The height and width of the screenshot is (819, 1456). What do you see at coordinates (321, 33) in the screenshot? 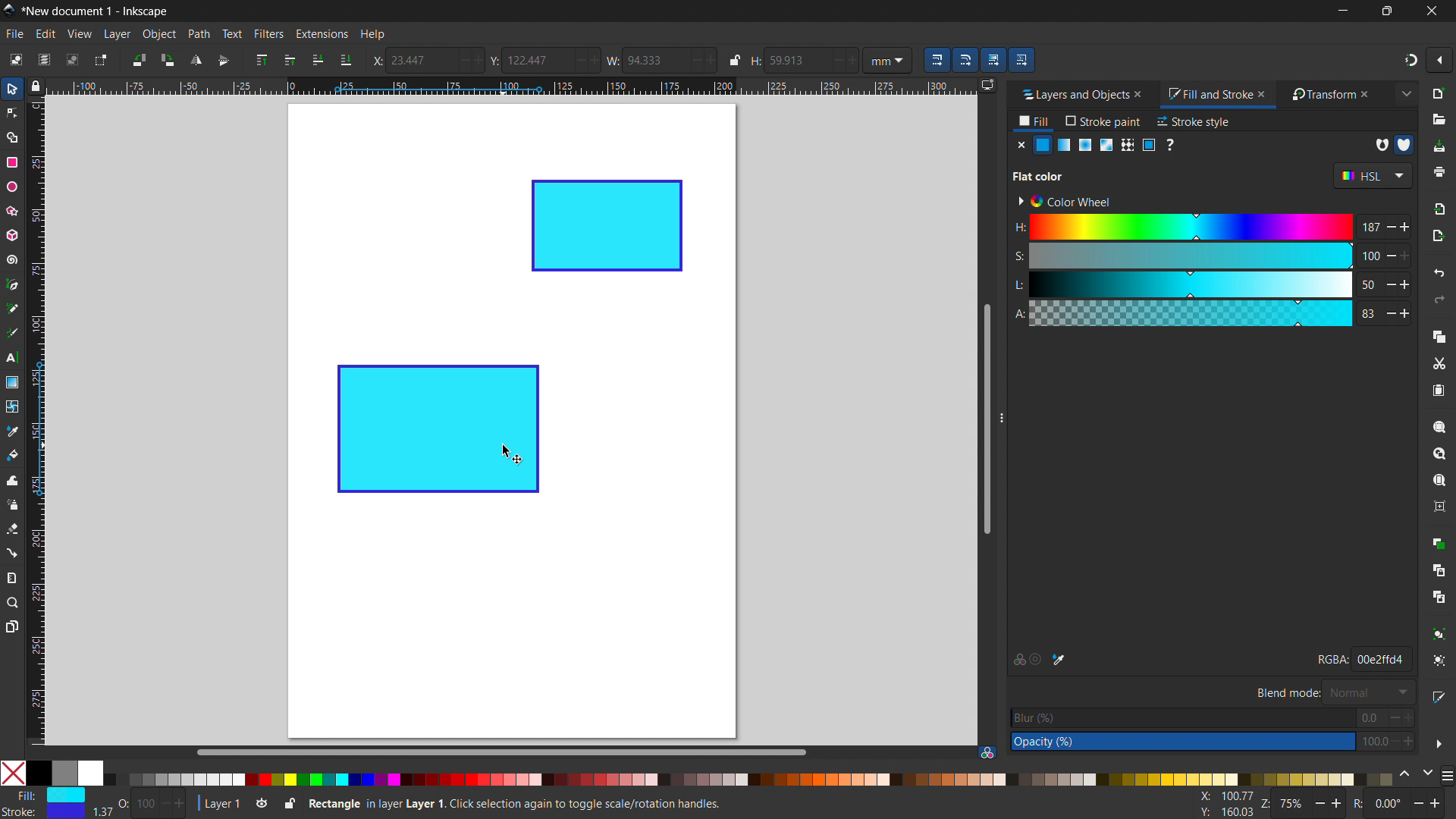
I see `extensions` at bounding box center [321, 33].